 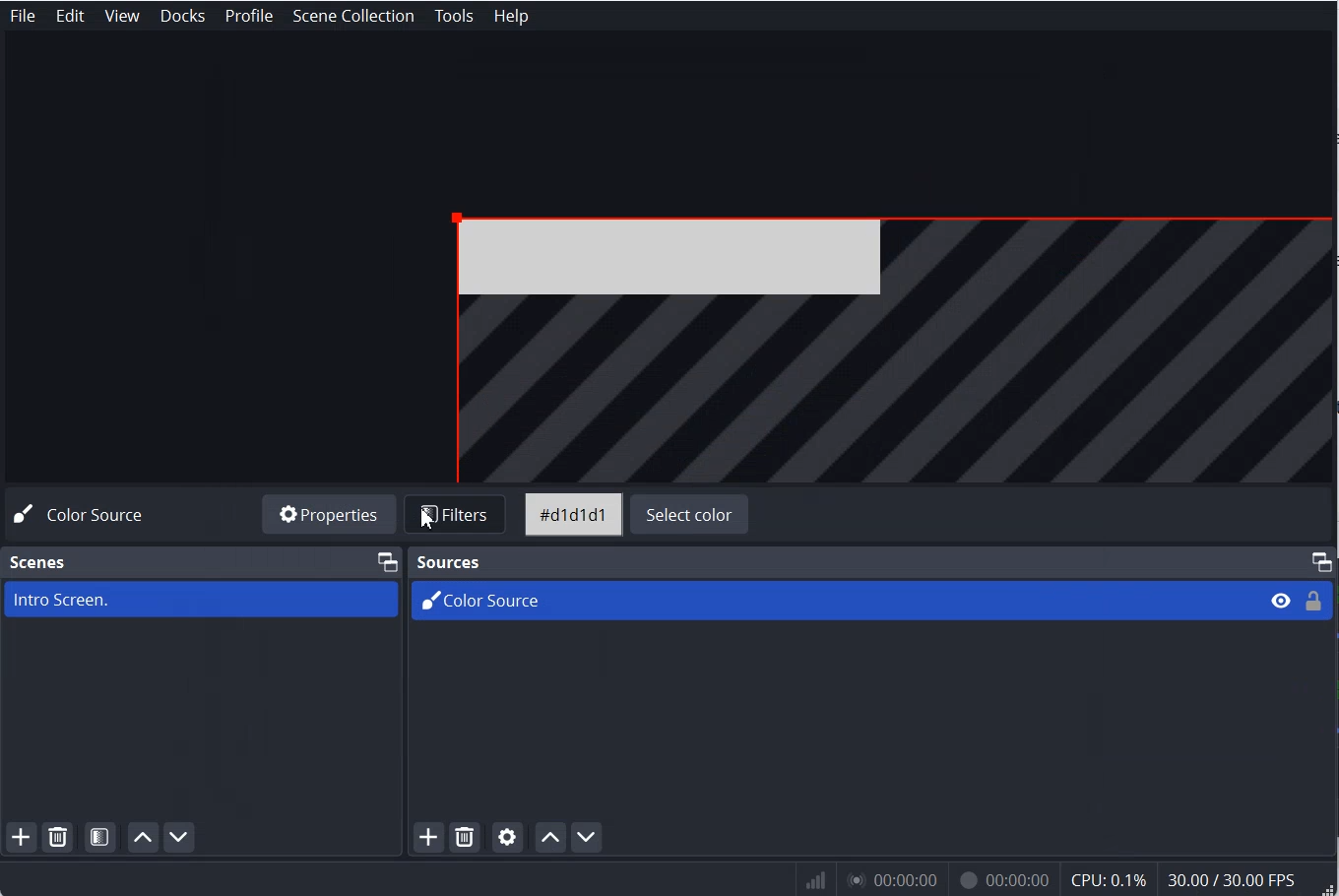 I want to click on Cursor, so click(x=426, y=519).